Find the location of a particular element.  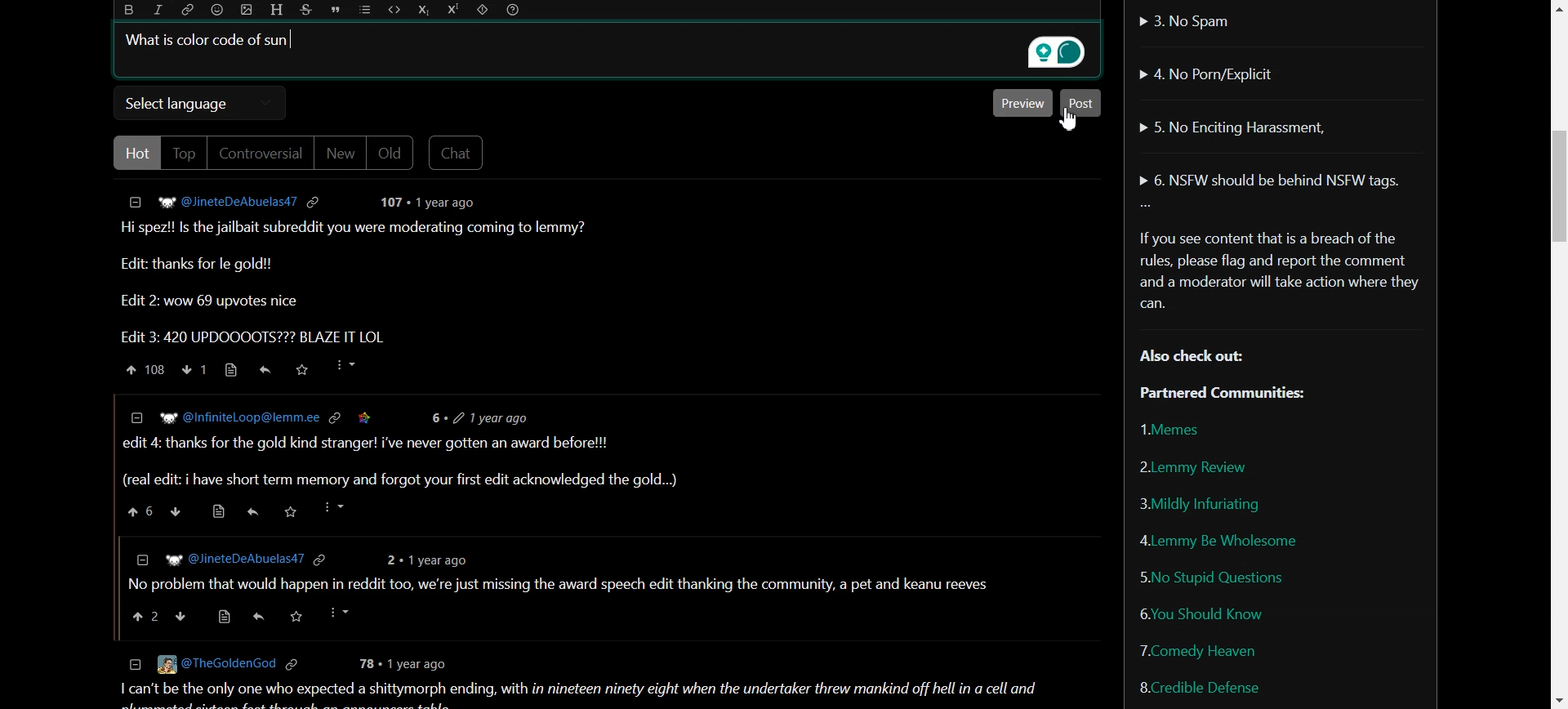

Downvote is located at coordinates (196, 370).